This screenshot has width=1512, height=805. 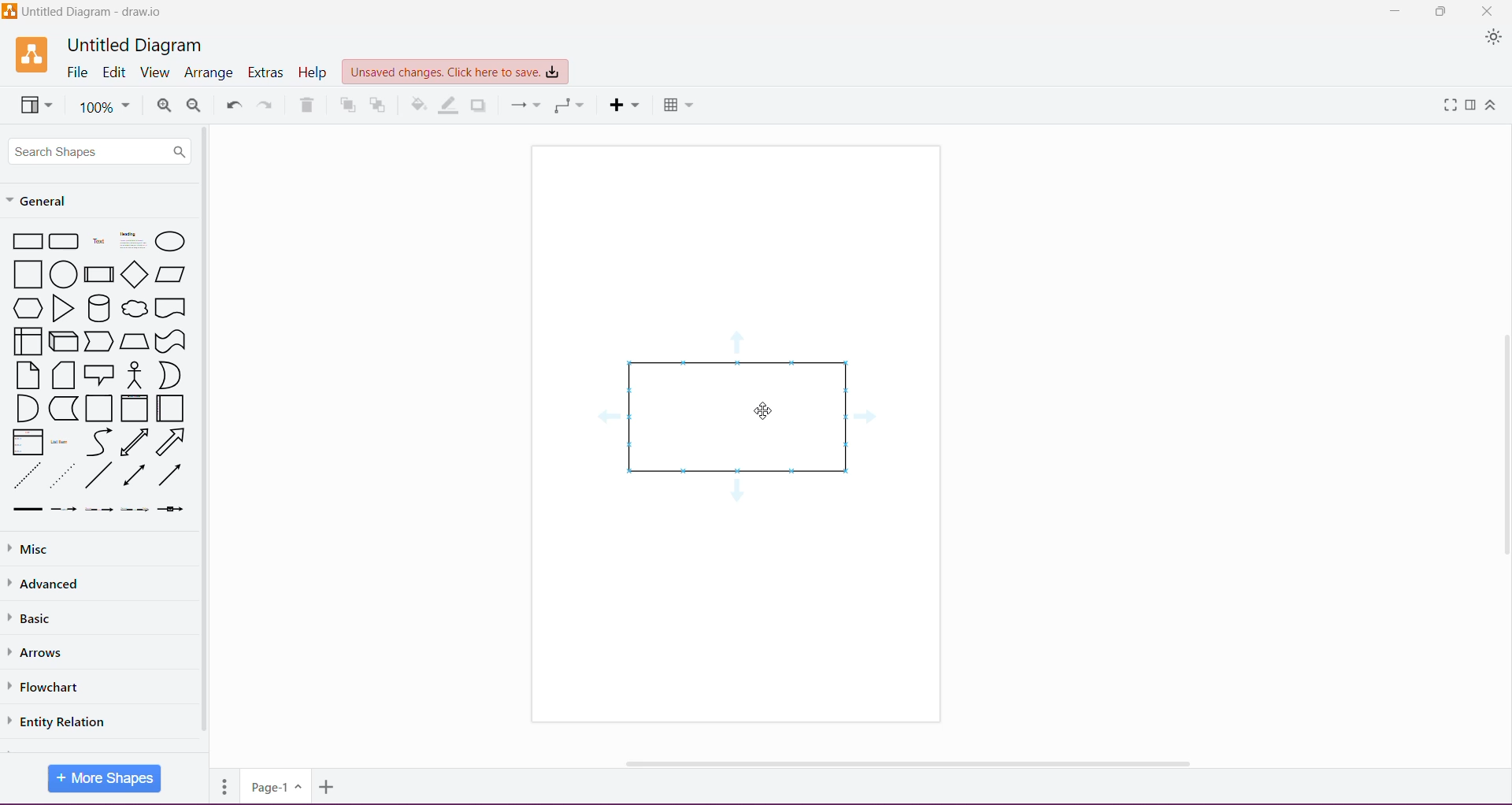 I want to click on Page Number, so click(x=275, y=787).